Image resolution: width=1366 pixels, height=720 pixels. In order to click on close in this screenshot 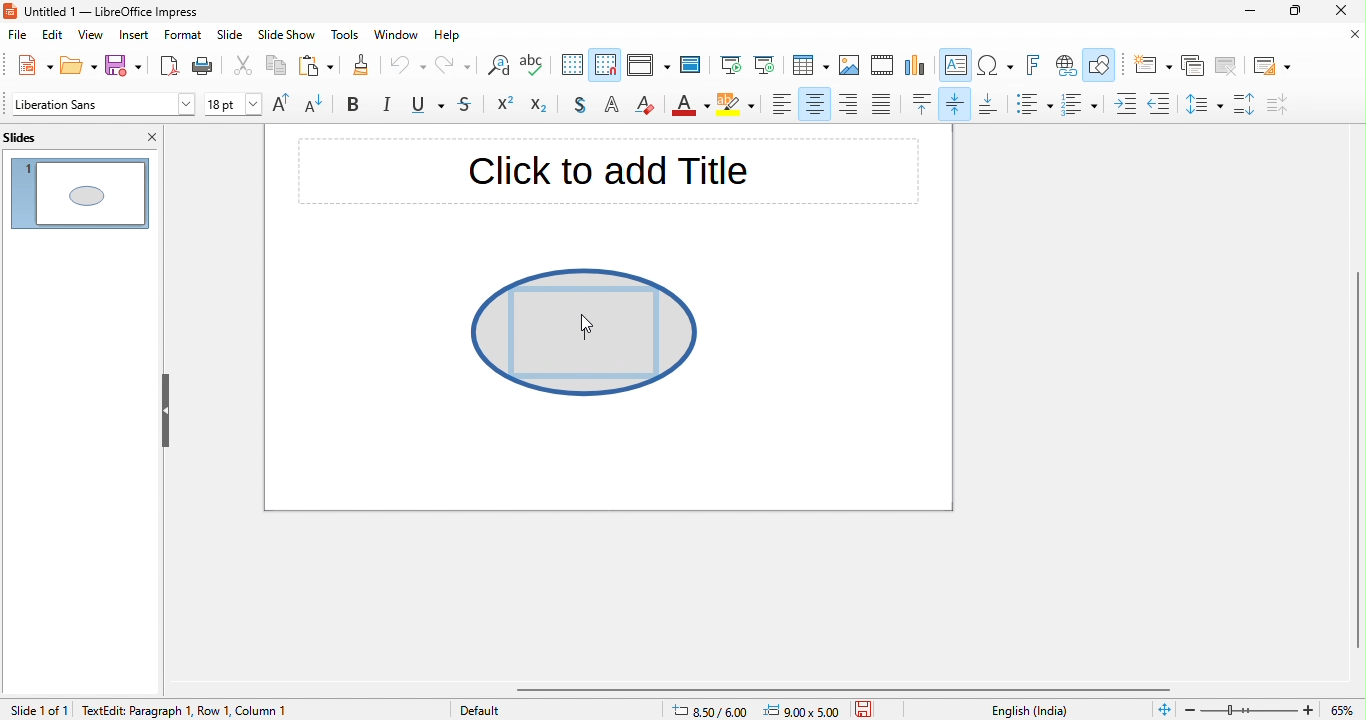, I will do `click(1349, 35)`.